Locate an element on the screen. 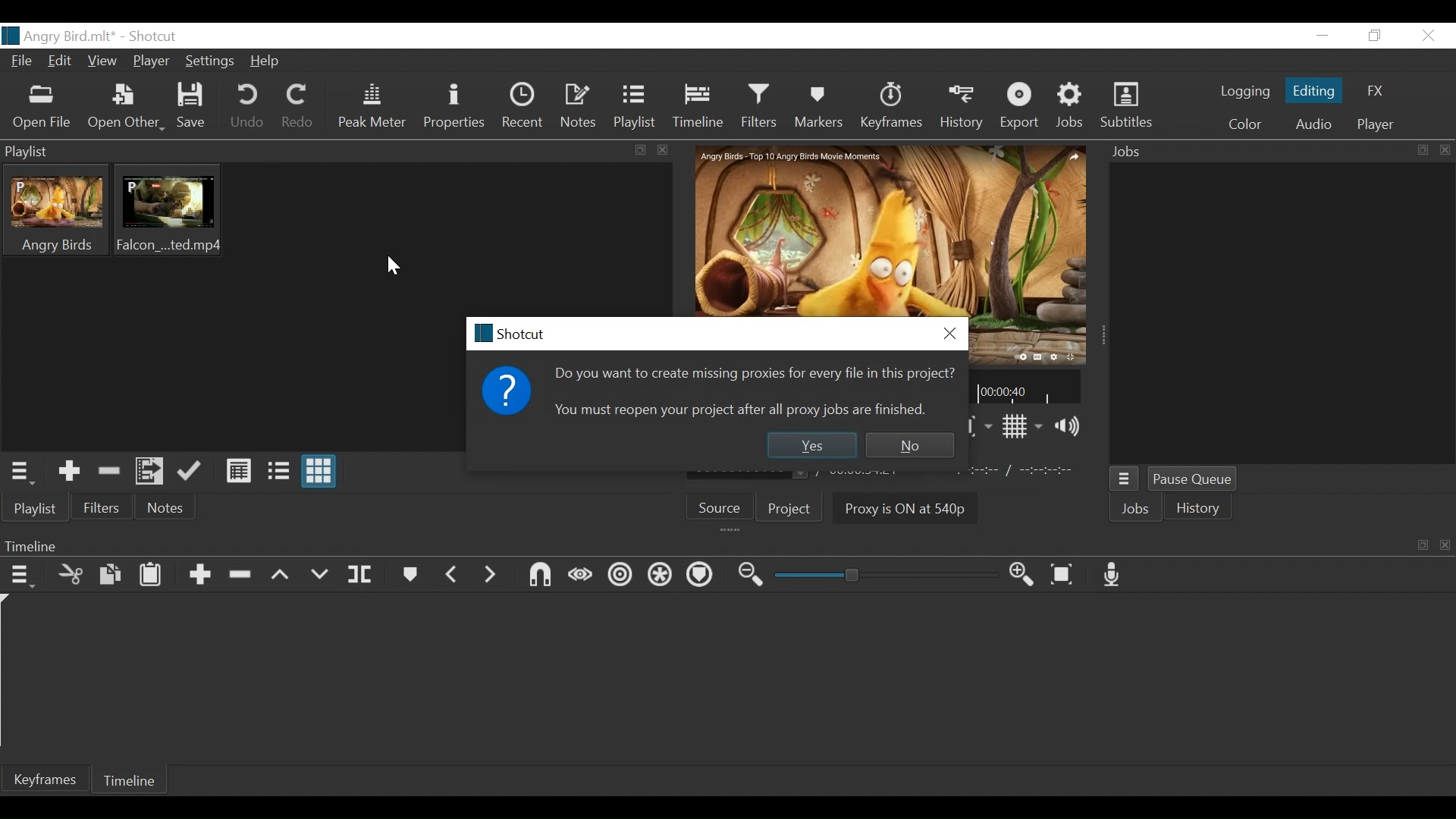 This screenshot has height=819, width=1456. Save is located at coordinates (193, 108).